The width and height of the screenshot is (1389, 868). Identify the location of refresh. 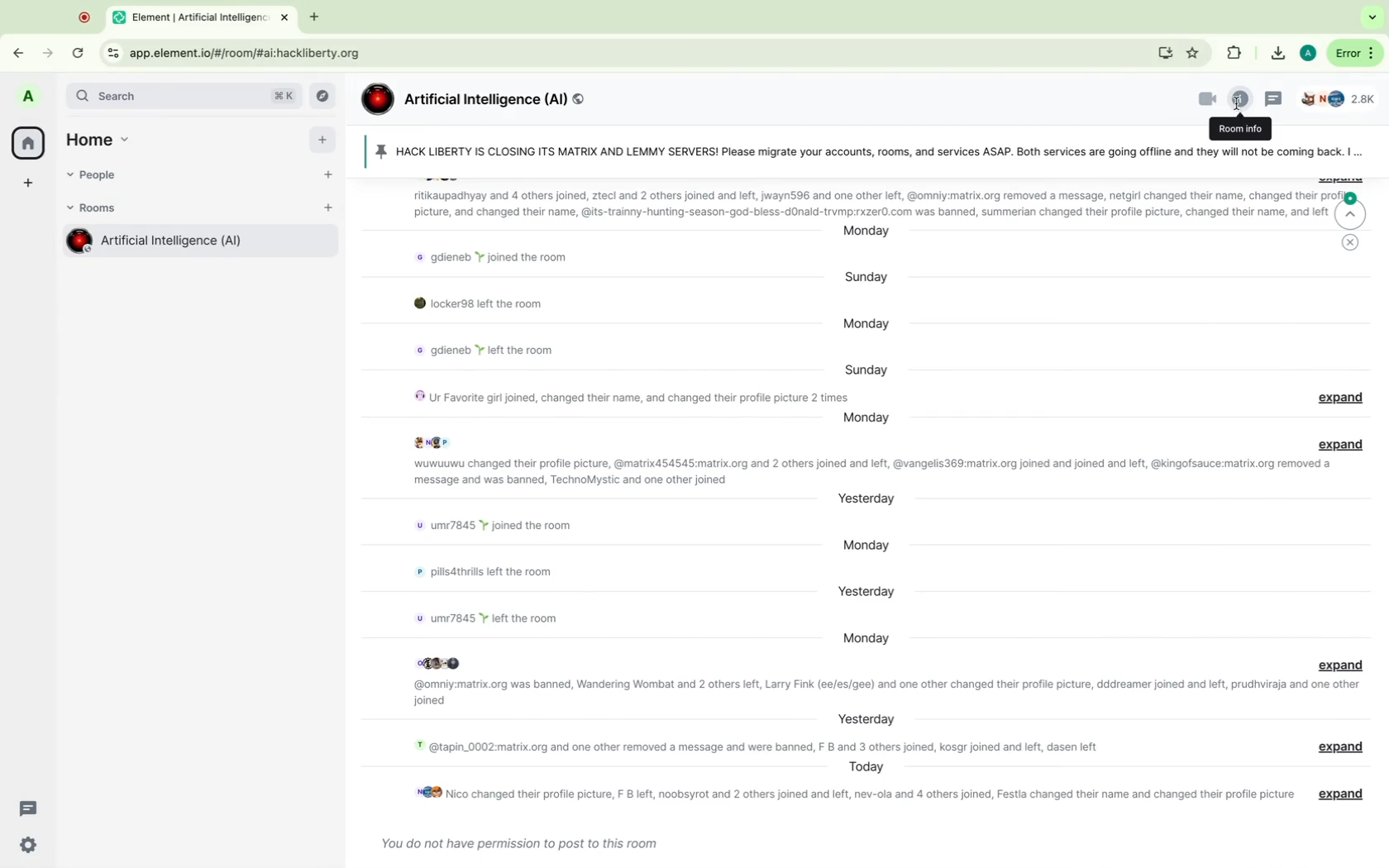
(80, 55).